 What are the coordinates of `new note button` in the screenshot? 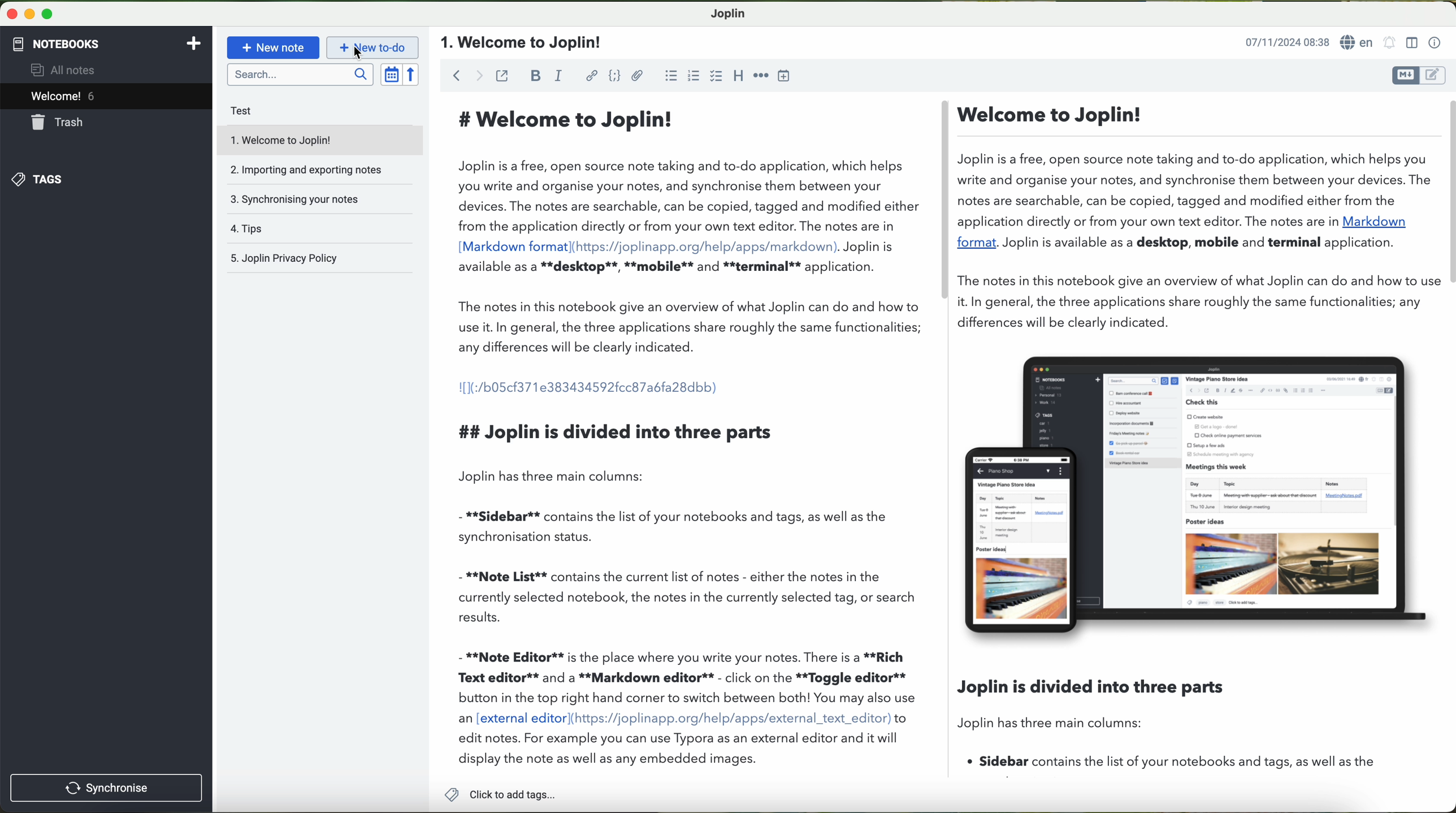 It's located at (272, 47).